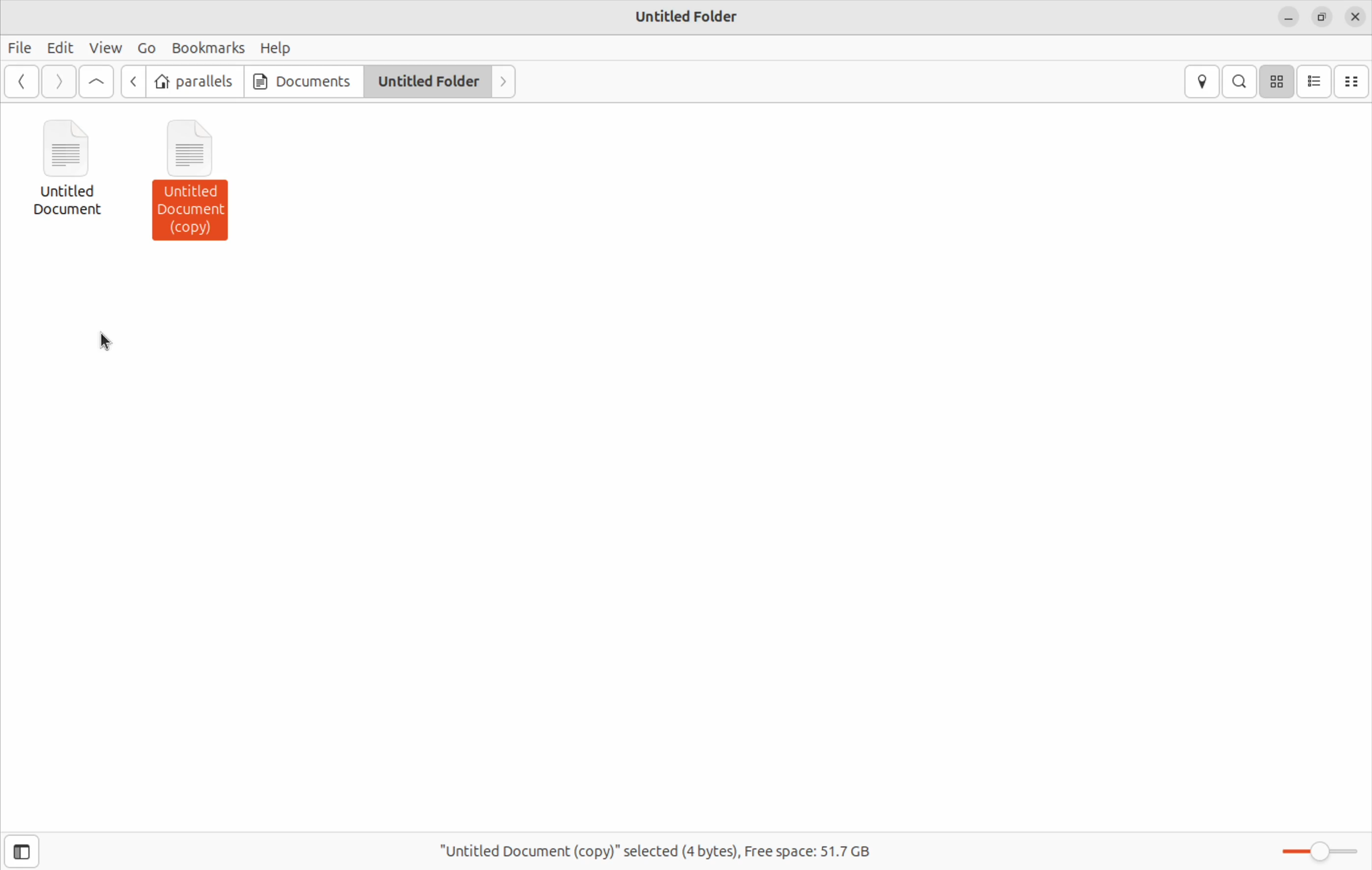 The image size is (1372, 870). Describe the element at coordinates (688, 16) in the screenshot. I see `Untitled Folder` at that location.